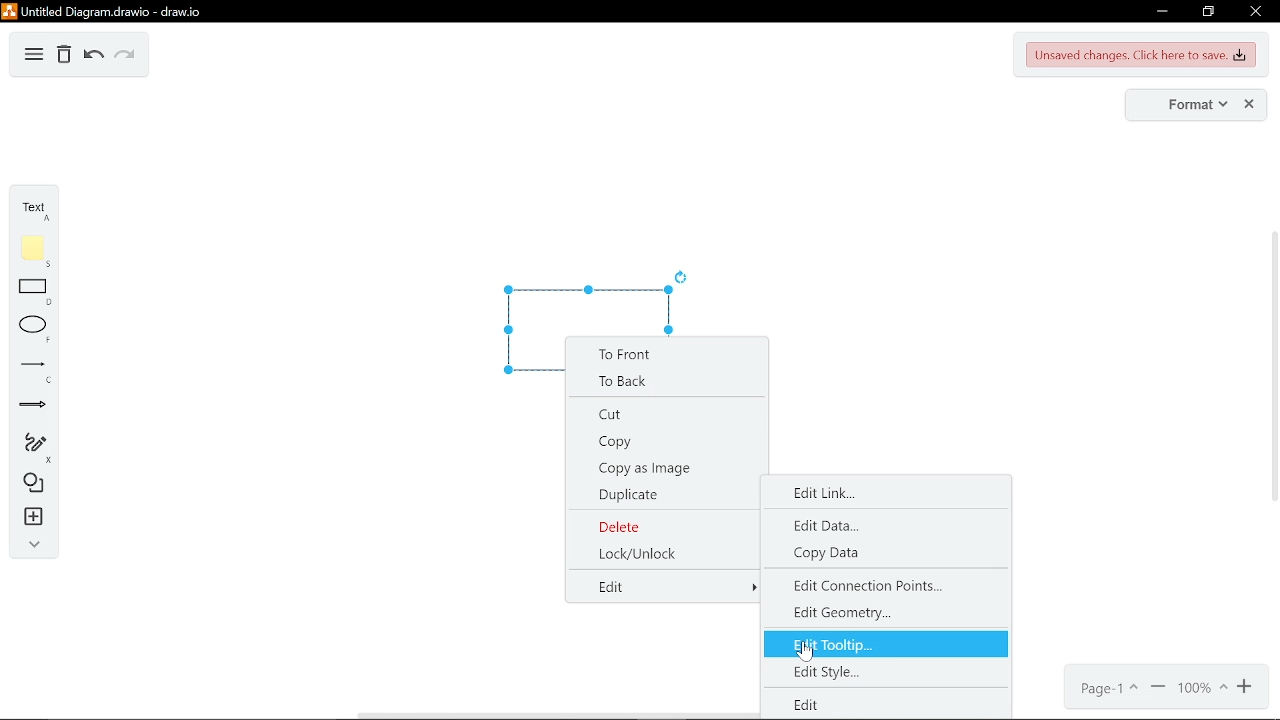  Describe the element at coordinates (665, 467) in the screenshot. I see `copy as image` at that location.